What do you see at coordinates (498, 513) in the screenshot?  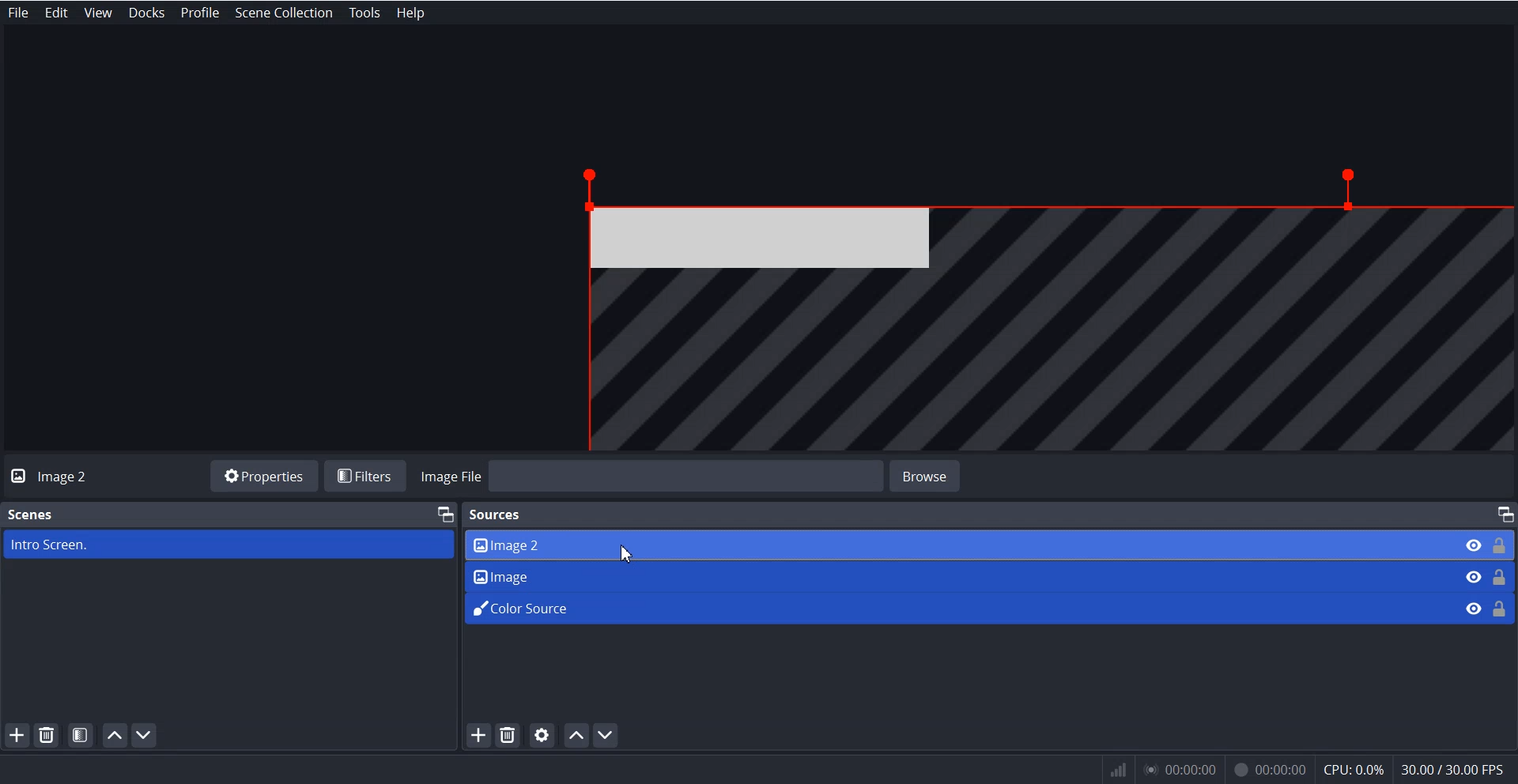 I see `Sources` at bounding box center [498, 513].